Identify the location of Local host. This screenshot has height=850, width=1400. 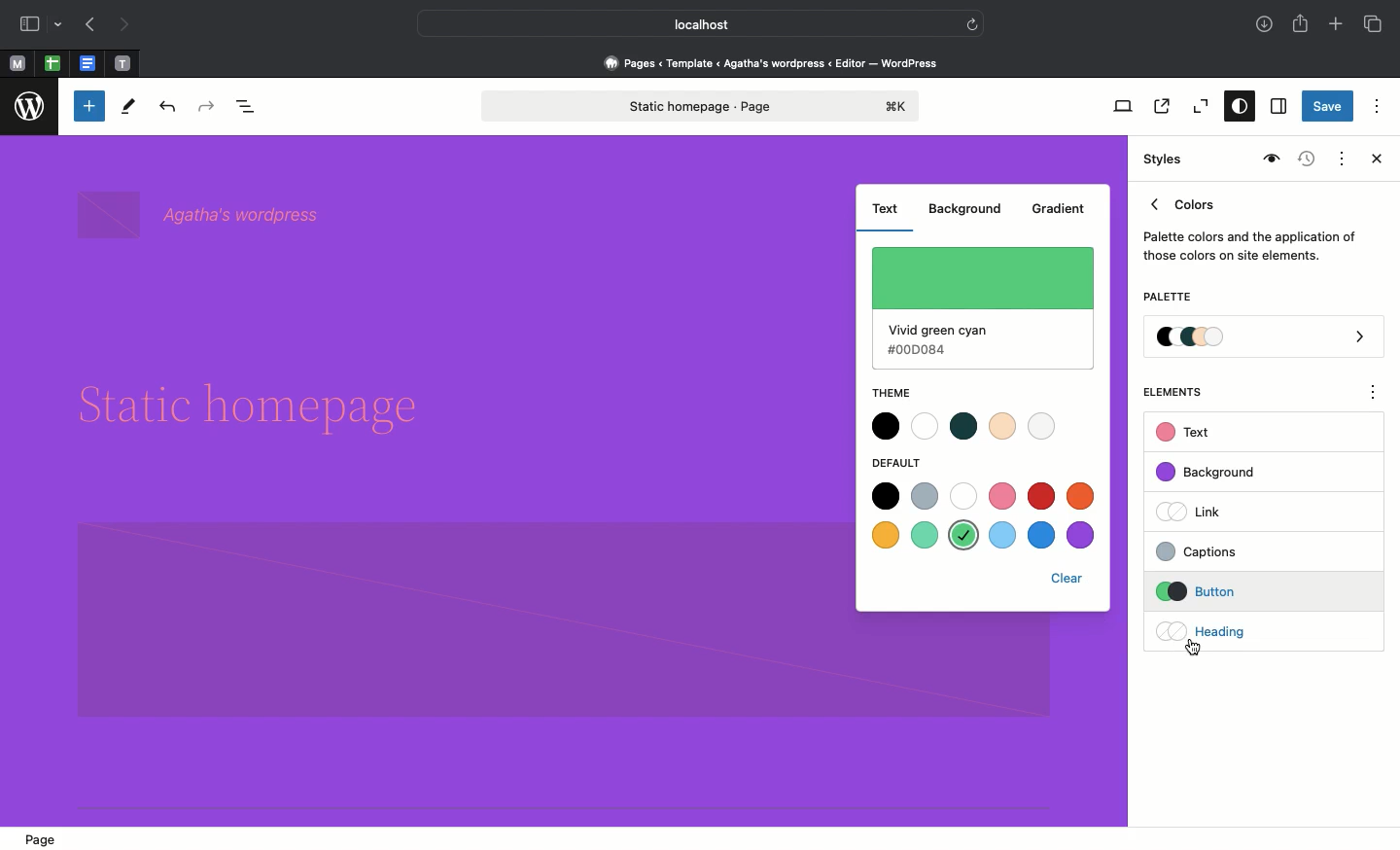
(686, 23).